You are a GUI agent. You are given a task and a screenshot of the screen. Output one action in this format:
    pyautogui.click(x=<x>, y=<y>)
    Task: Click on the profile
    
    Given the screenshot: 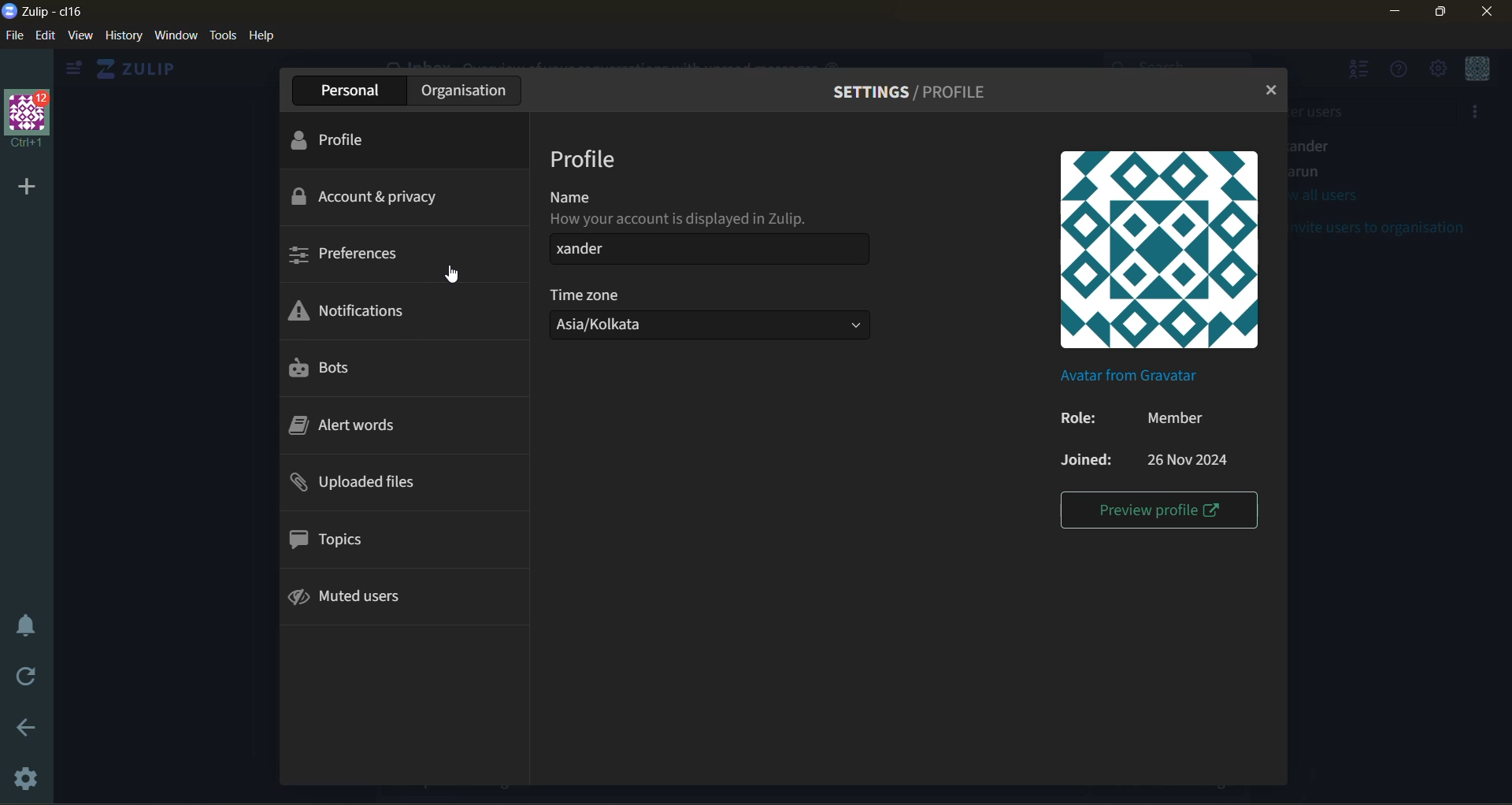 What is the action you would take?
    pyautogui.click(x=350, y=135)
    